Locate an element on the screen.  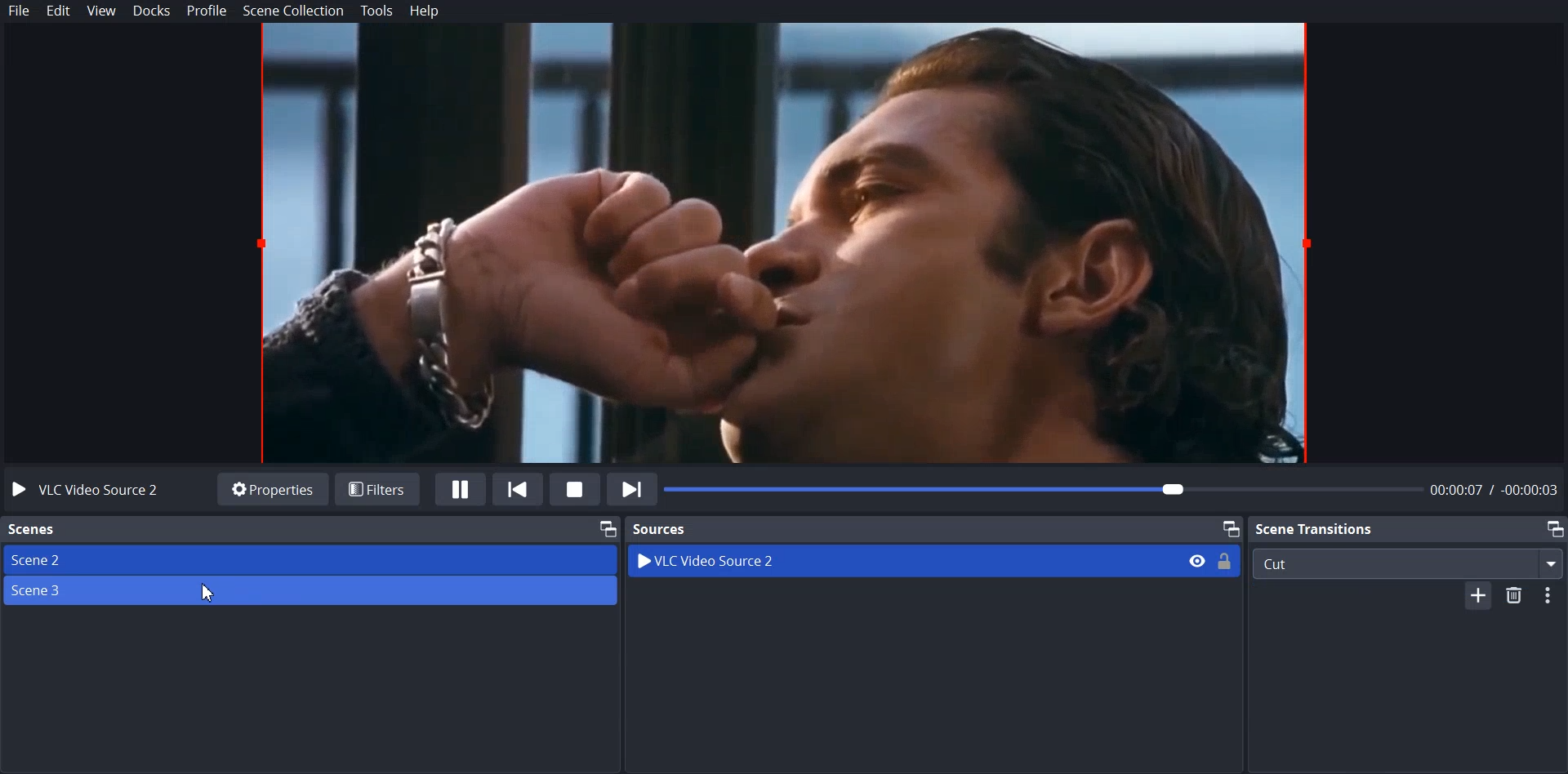
Edit is located at coordinates (59, 11).